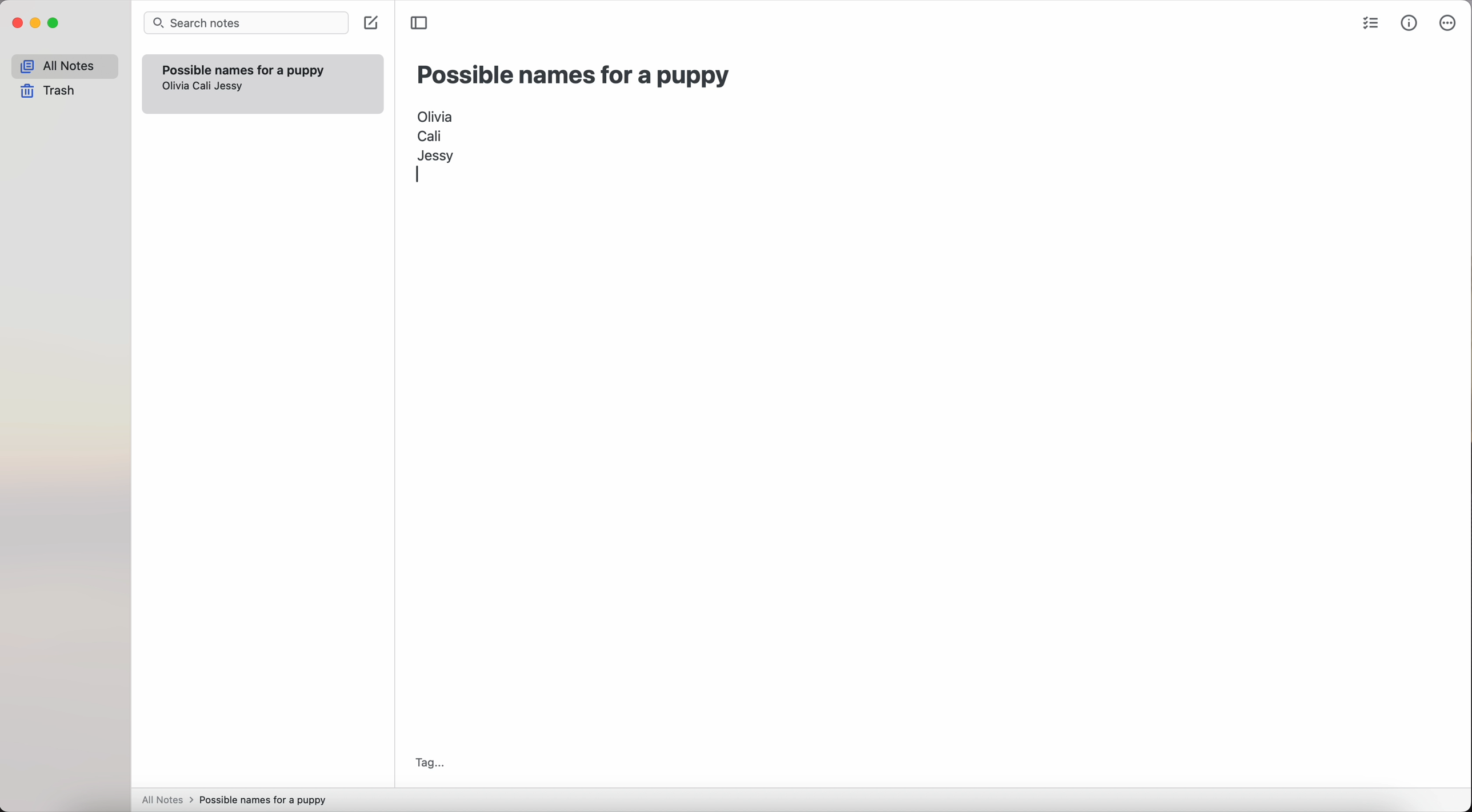 Image resolution: width=1472 pixels, height=812 pixels. I want to click on search bar, so click(246, 24).